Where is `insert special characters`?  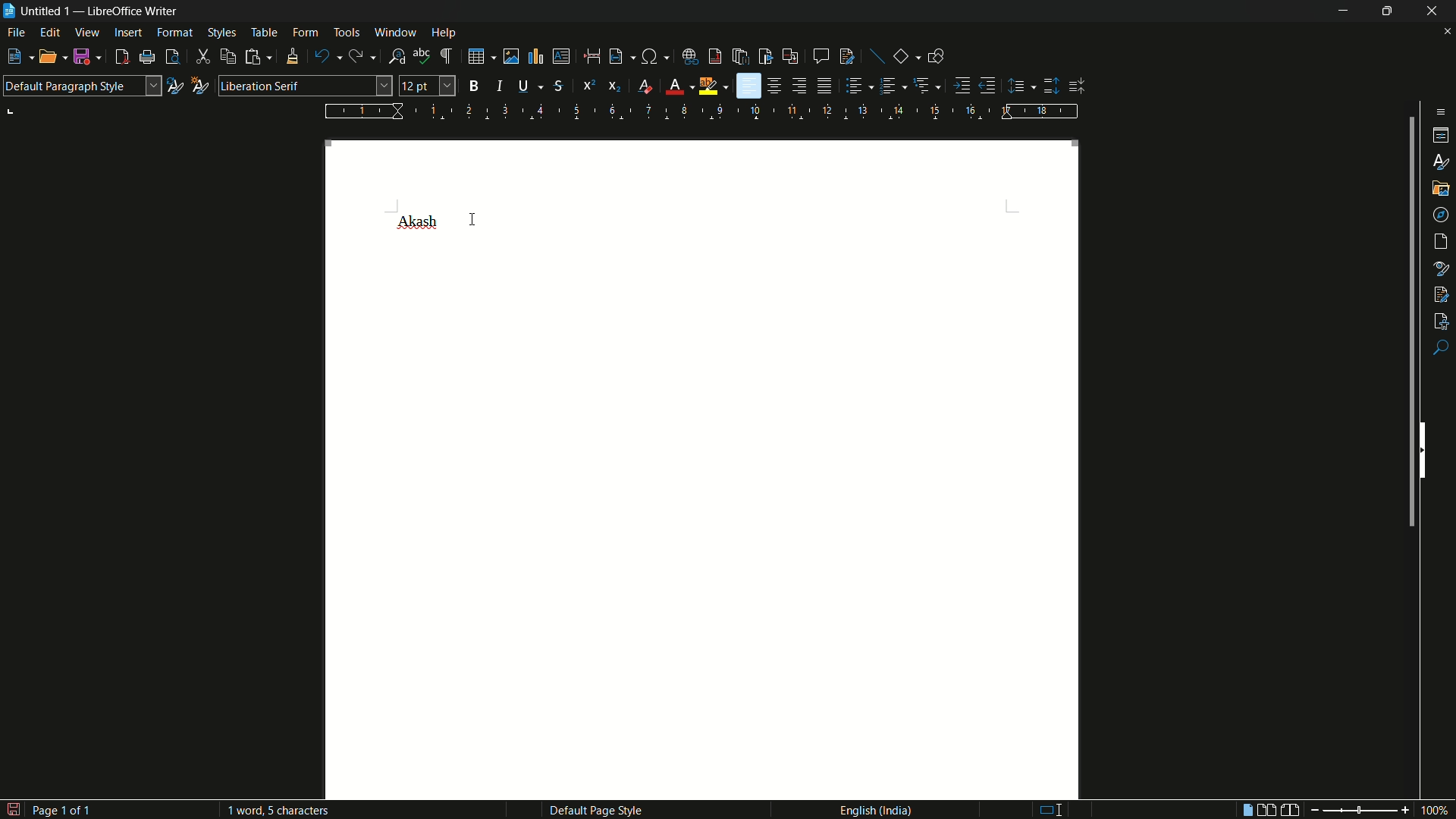
insert special characters is located at coordinates (650, 58).